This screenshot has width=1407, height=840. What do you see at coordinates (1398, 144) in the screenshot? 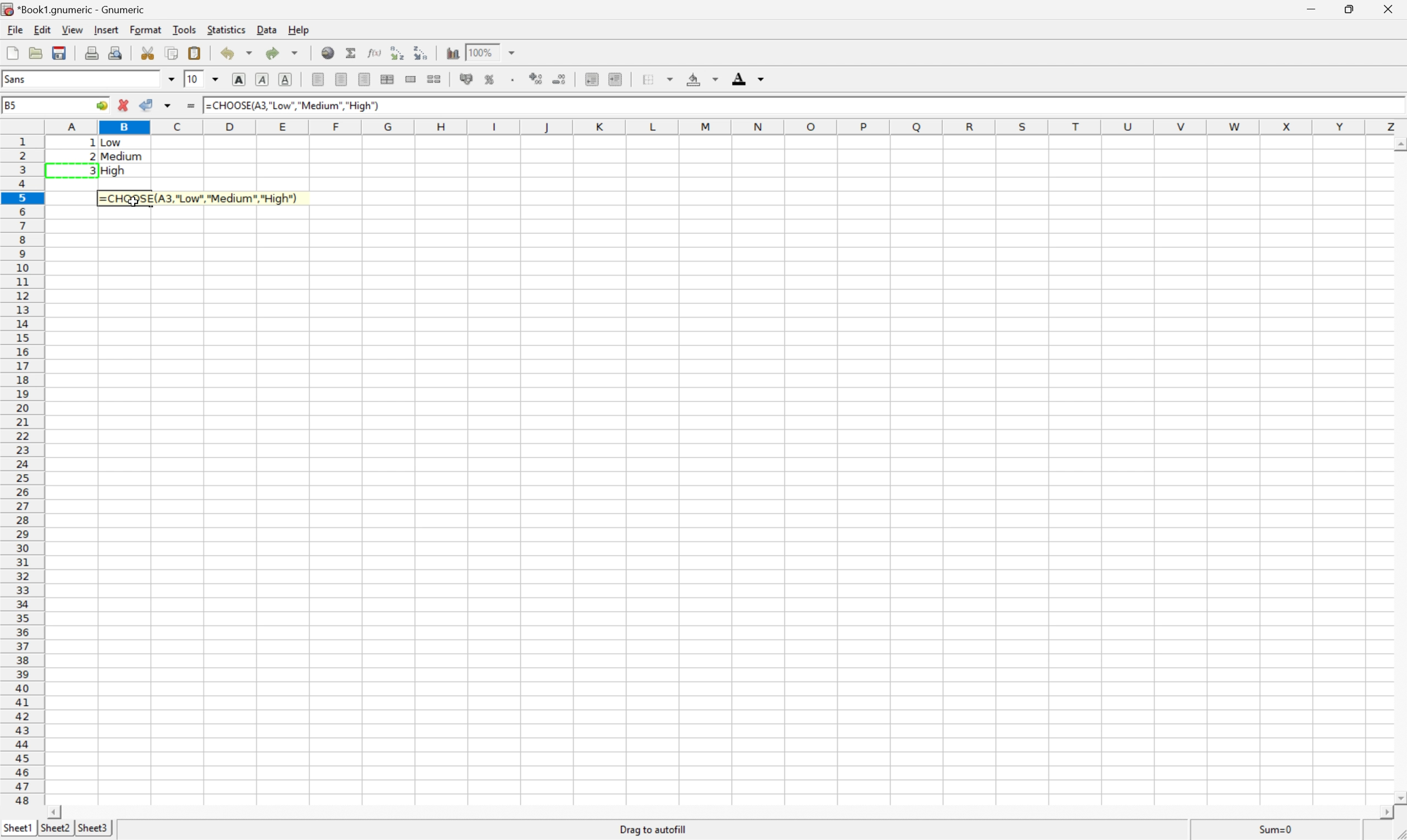
I see `Scroll Up` at bounding box center [1398, 144].